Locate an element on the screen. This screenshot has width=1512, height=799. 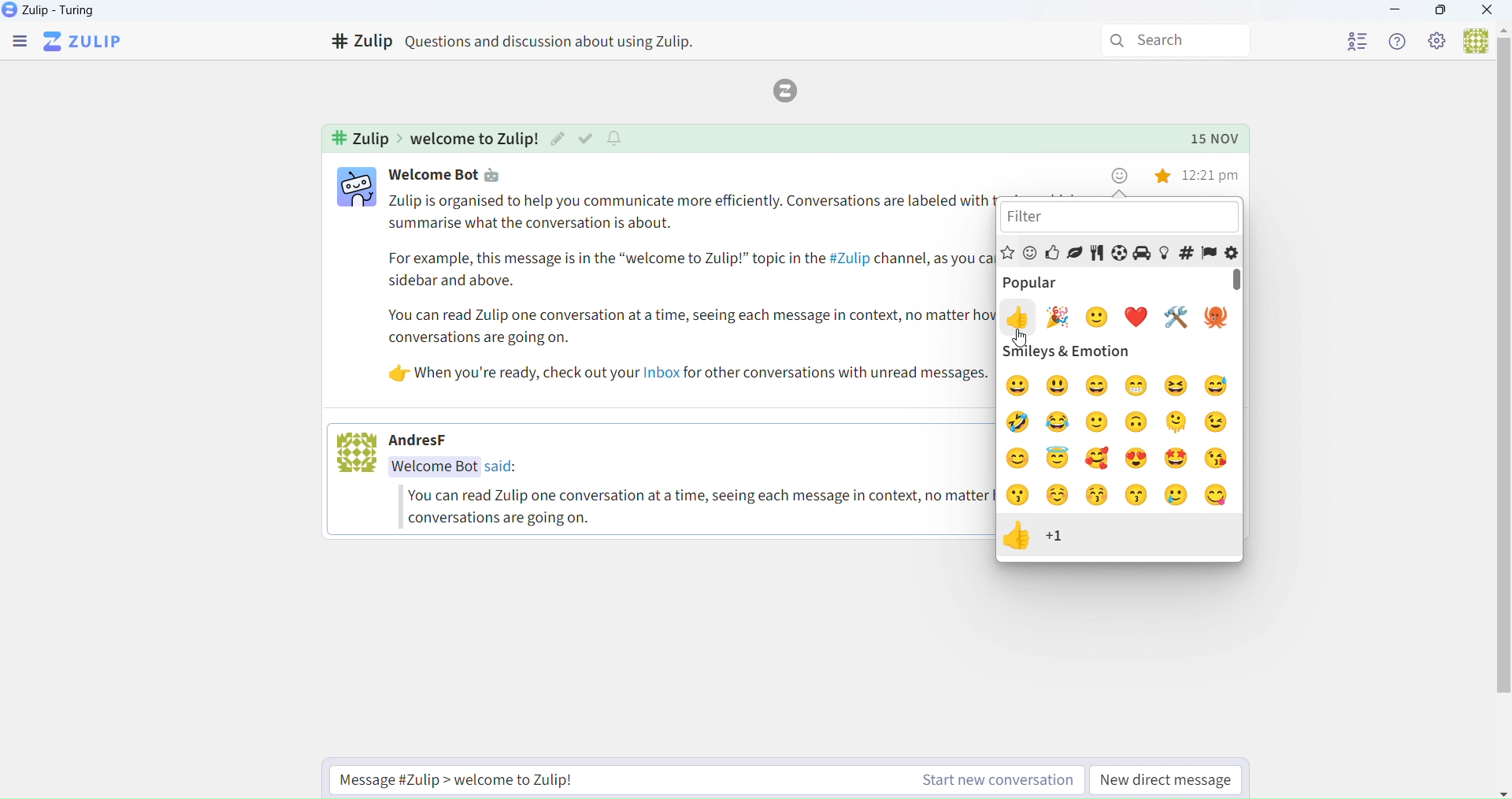
laugh with tears is located at coordinates (1058, 422).